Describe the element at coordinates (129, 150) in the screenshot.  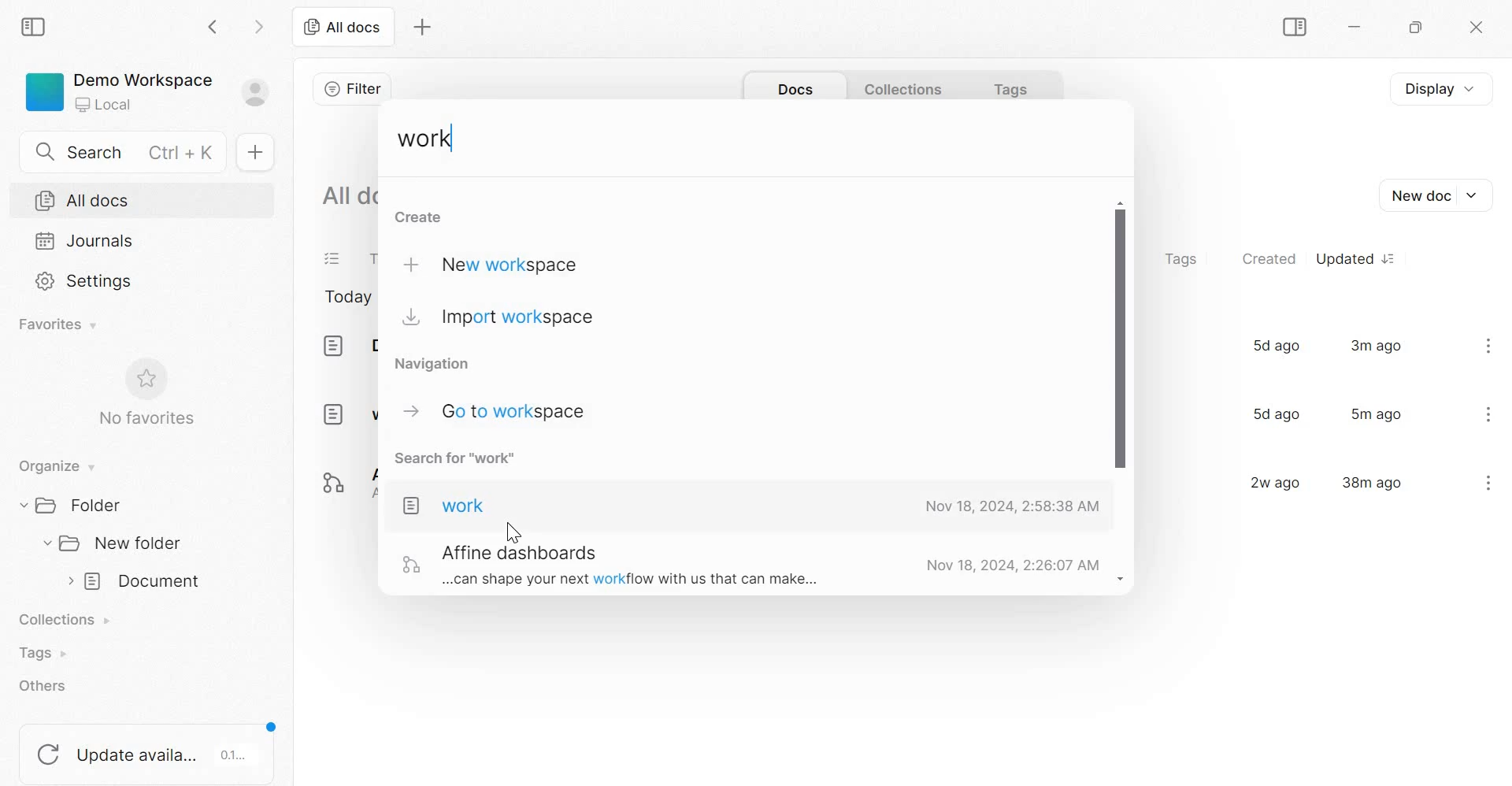
I see `Search` at that location.